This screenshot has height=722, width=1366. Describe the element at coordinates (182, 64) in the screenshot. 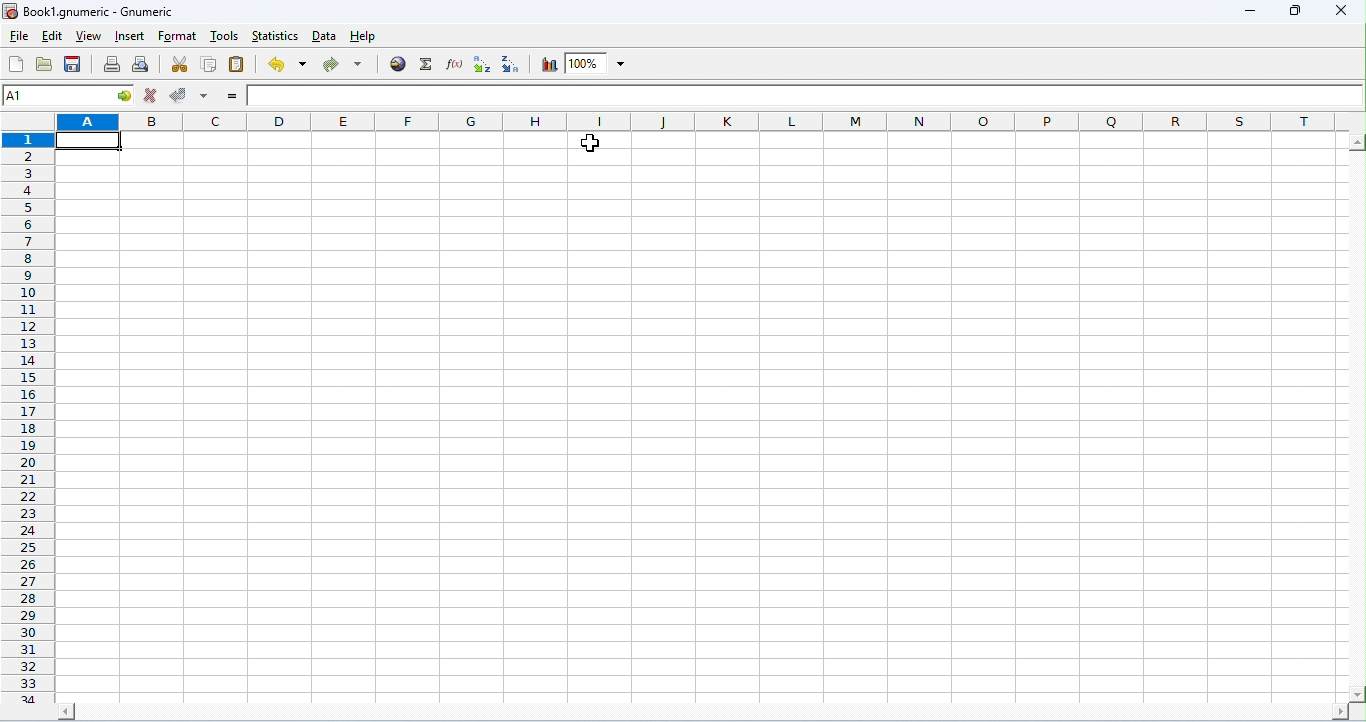

I see `cut` at that location.